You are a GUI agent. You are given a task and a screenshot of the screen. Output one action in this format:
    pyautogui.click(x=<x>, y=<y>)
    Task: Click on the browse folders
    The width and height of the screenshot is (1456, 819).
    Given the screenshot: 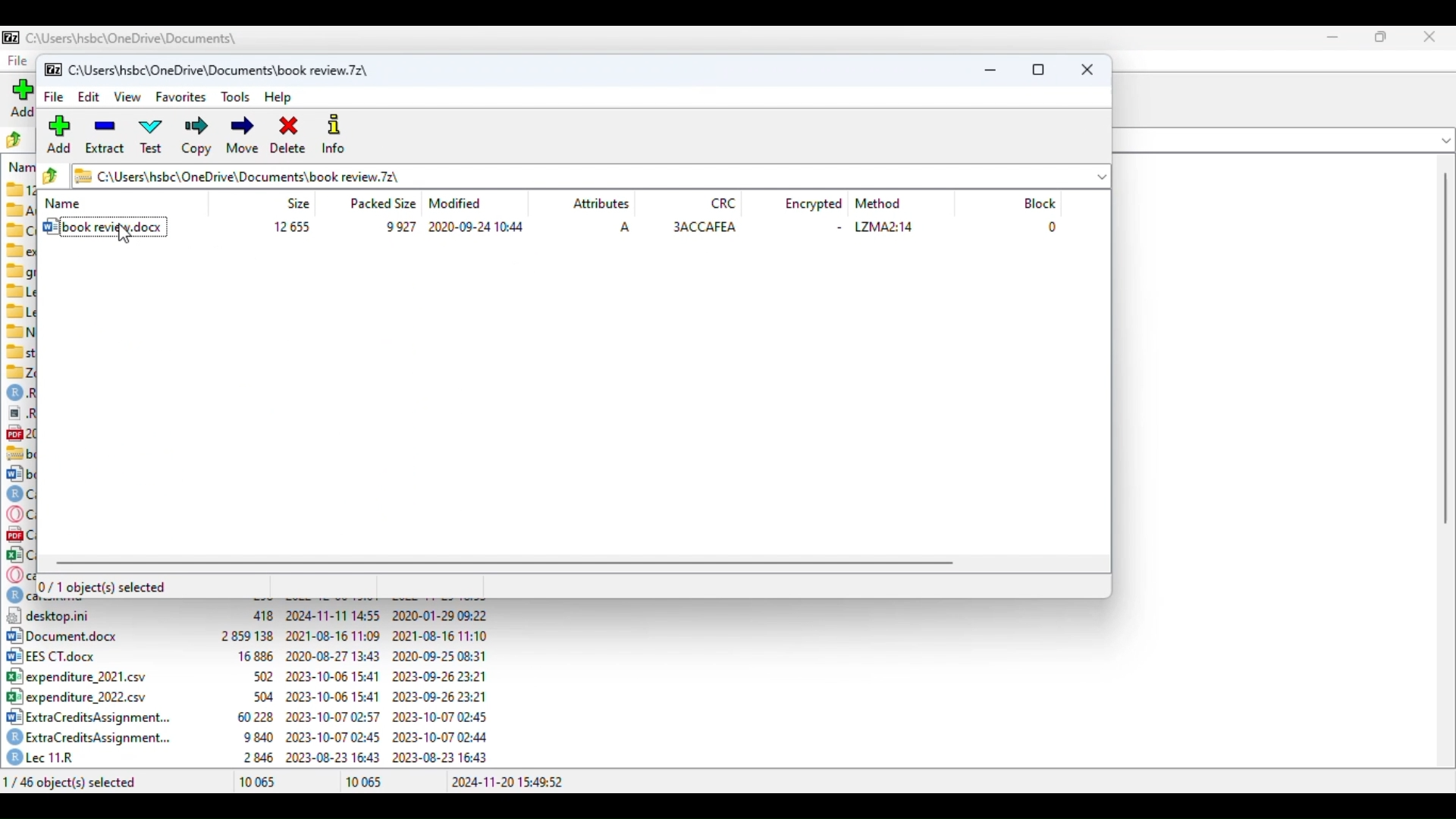 What is the action you would take?
    pyautogui.click(x=49, y=177)
    